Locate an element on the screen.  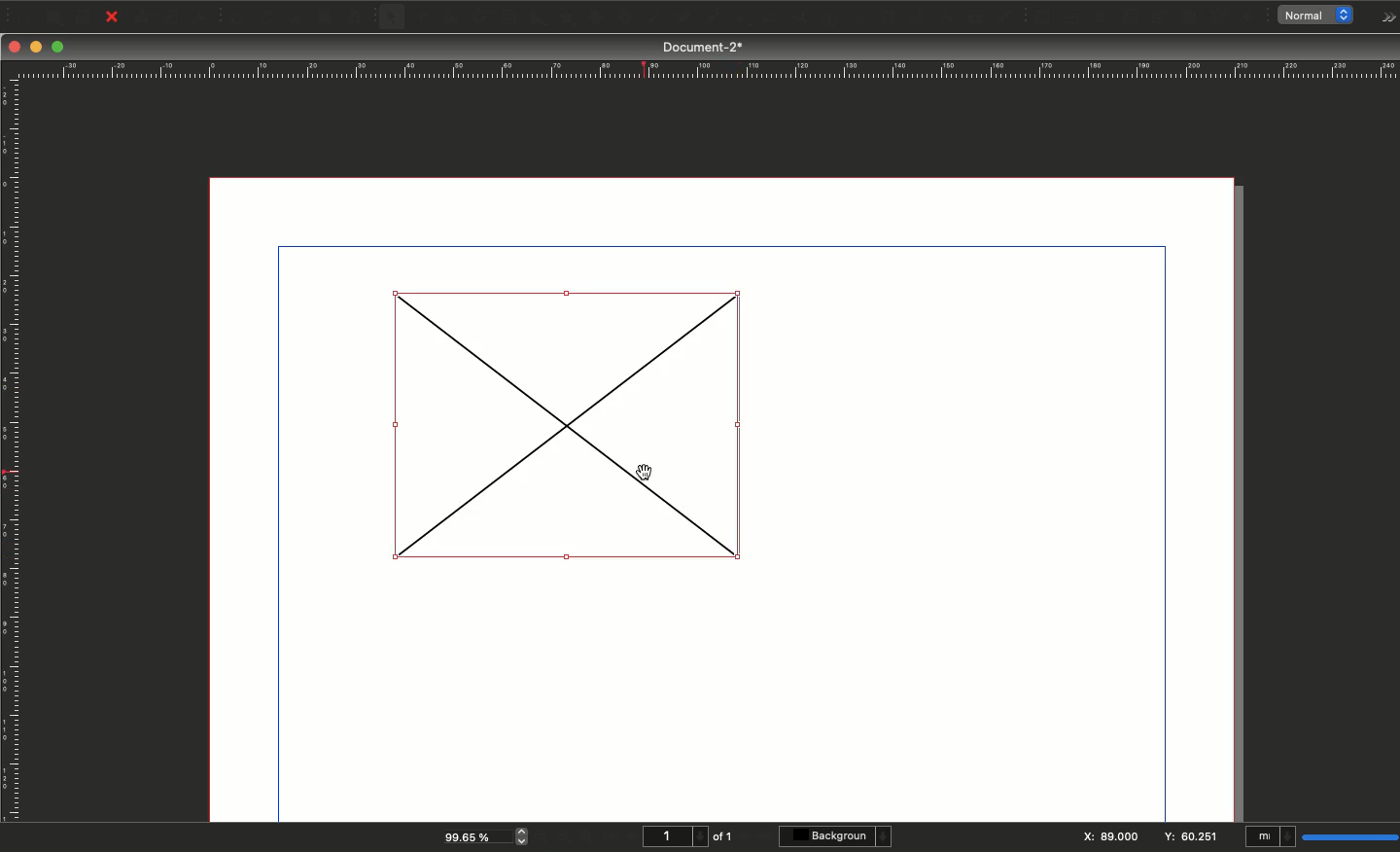
Save is located at coordinates (87, 16).